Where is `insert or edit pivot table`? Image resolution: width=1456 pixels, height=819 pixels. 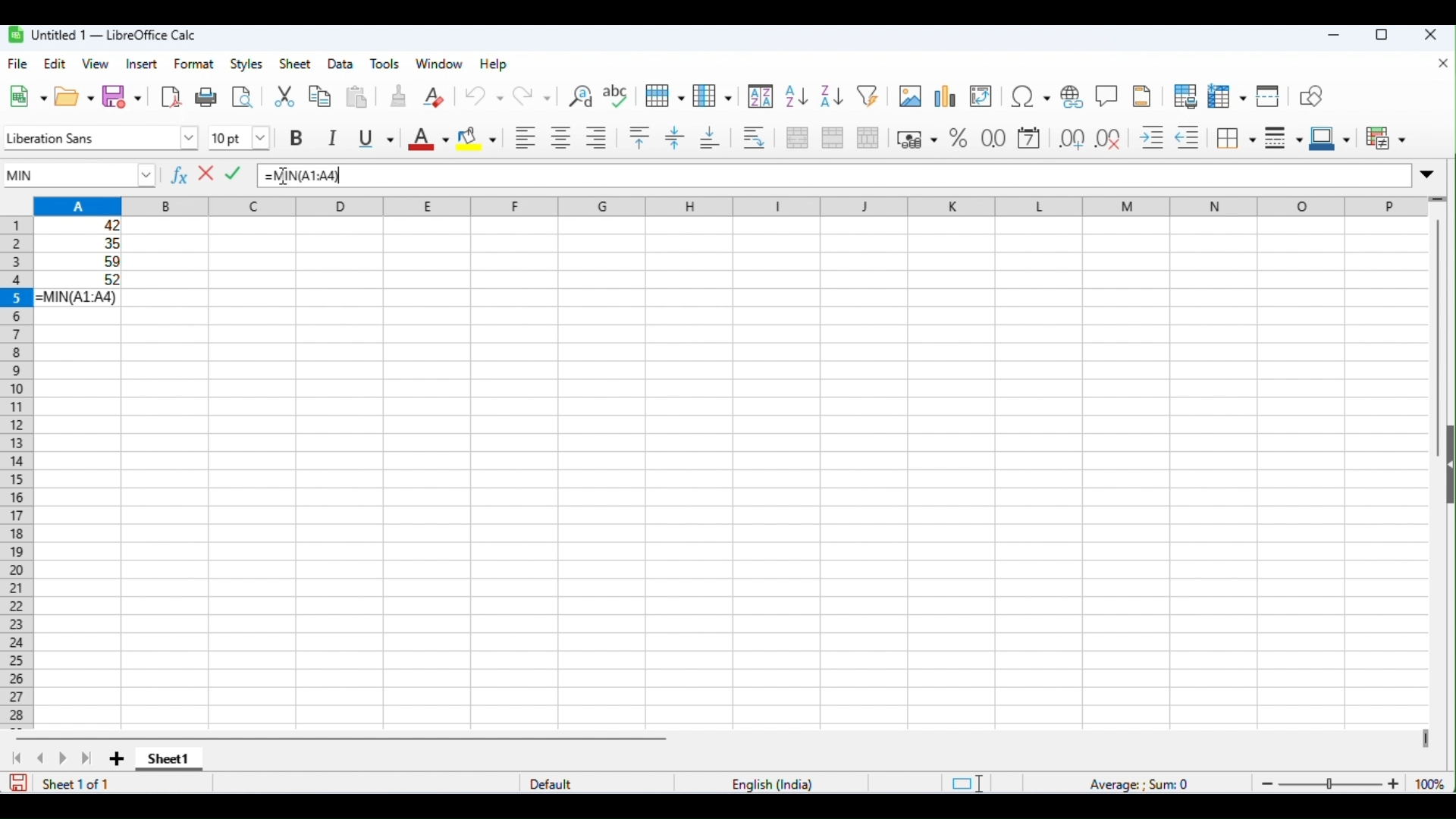
insert or edit pivot table is located at coordinates (981, 96).